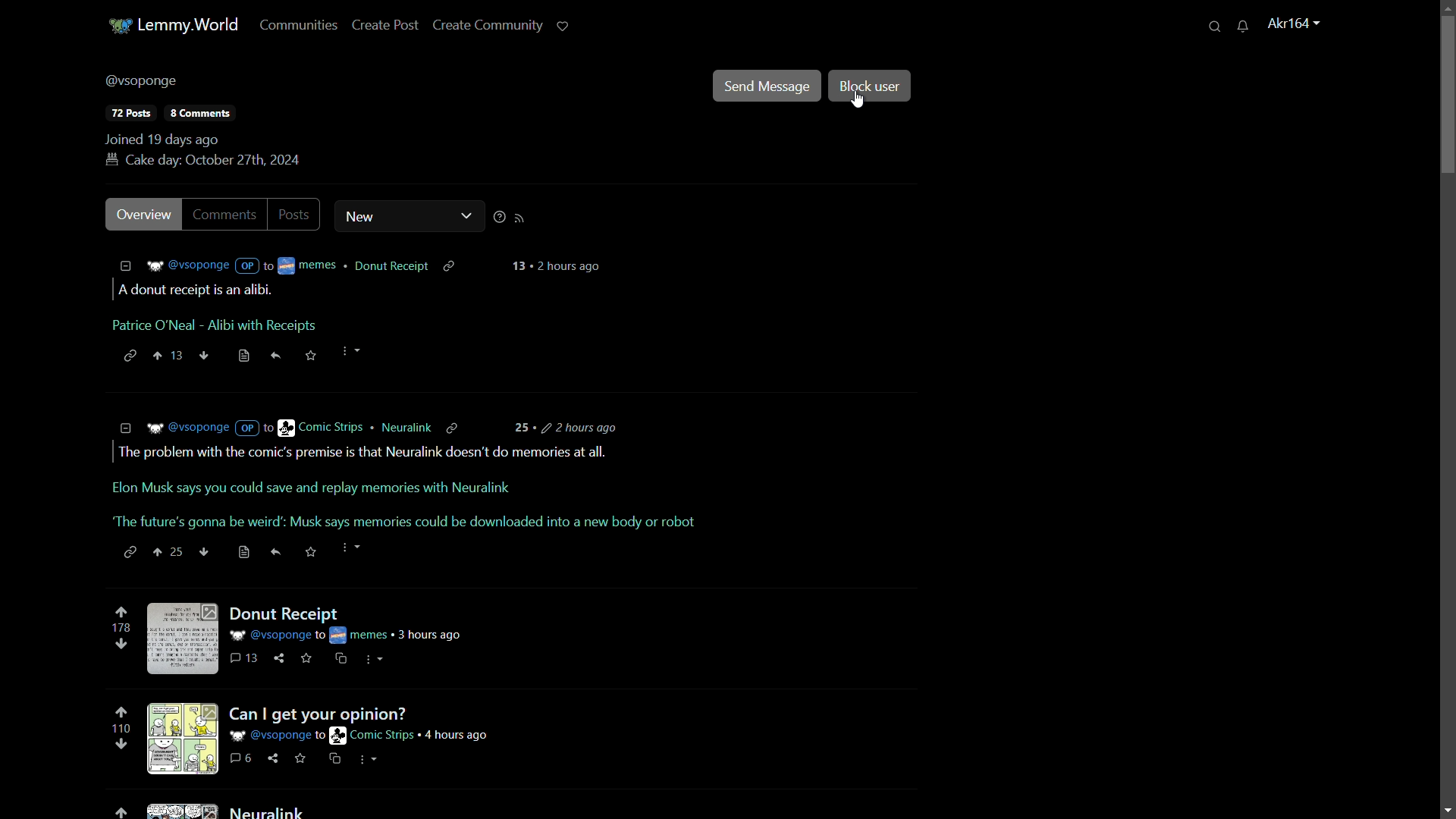  I want to click on down, so click(204, 551).